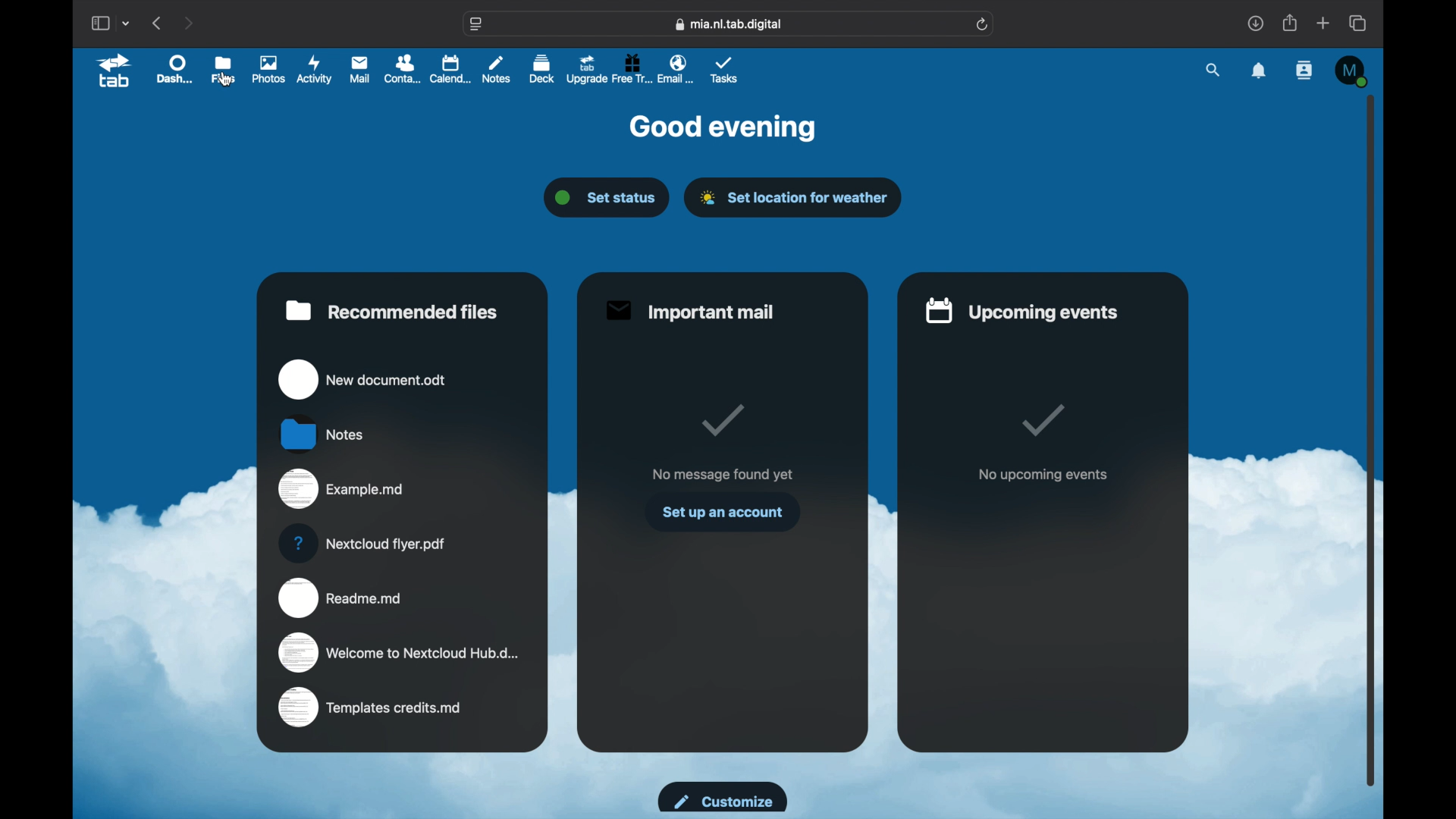 This screenshot has height=819, width=1456. What do you see at coordinates (542, 70) in the screenshot?
I see `deck` at bounding box center [542, 70].